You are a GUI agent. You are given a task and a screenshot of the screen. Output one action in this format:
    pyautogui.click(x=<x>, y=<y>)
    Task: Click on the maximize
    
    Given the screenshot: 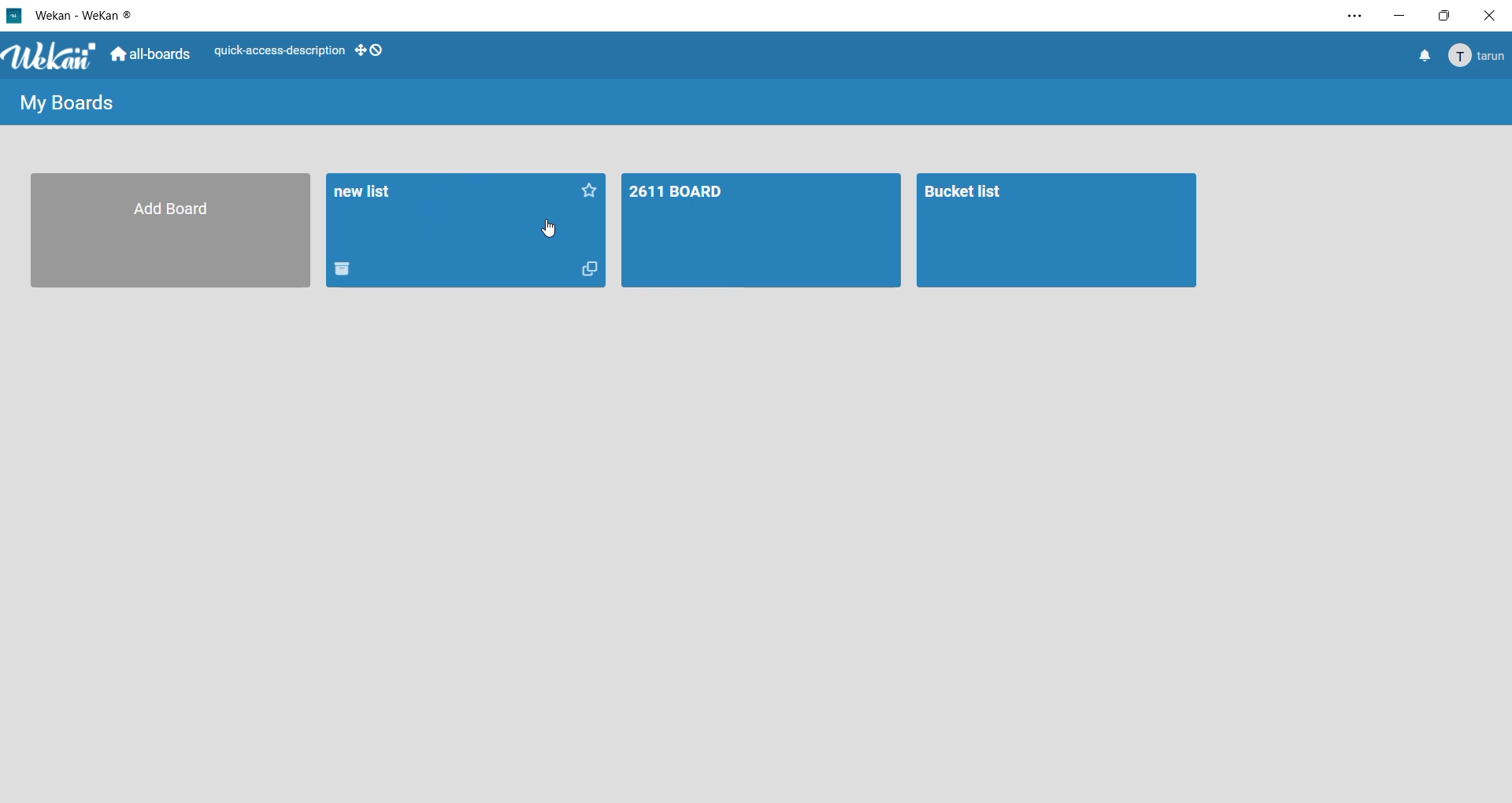 What is the action you would take?
    pyautogui.click(x=1446, y=16)
    